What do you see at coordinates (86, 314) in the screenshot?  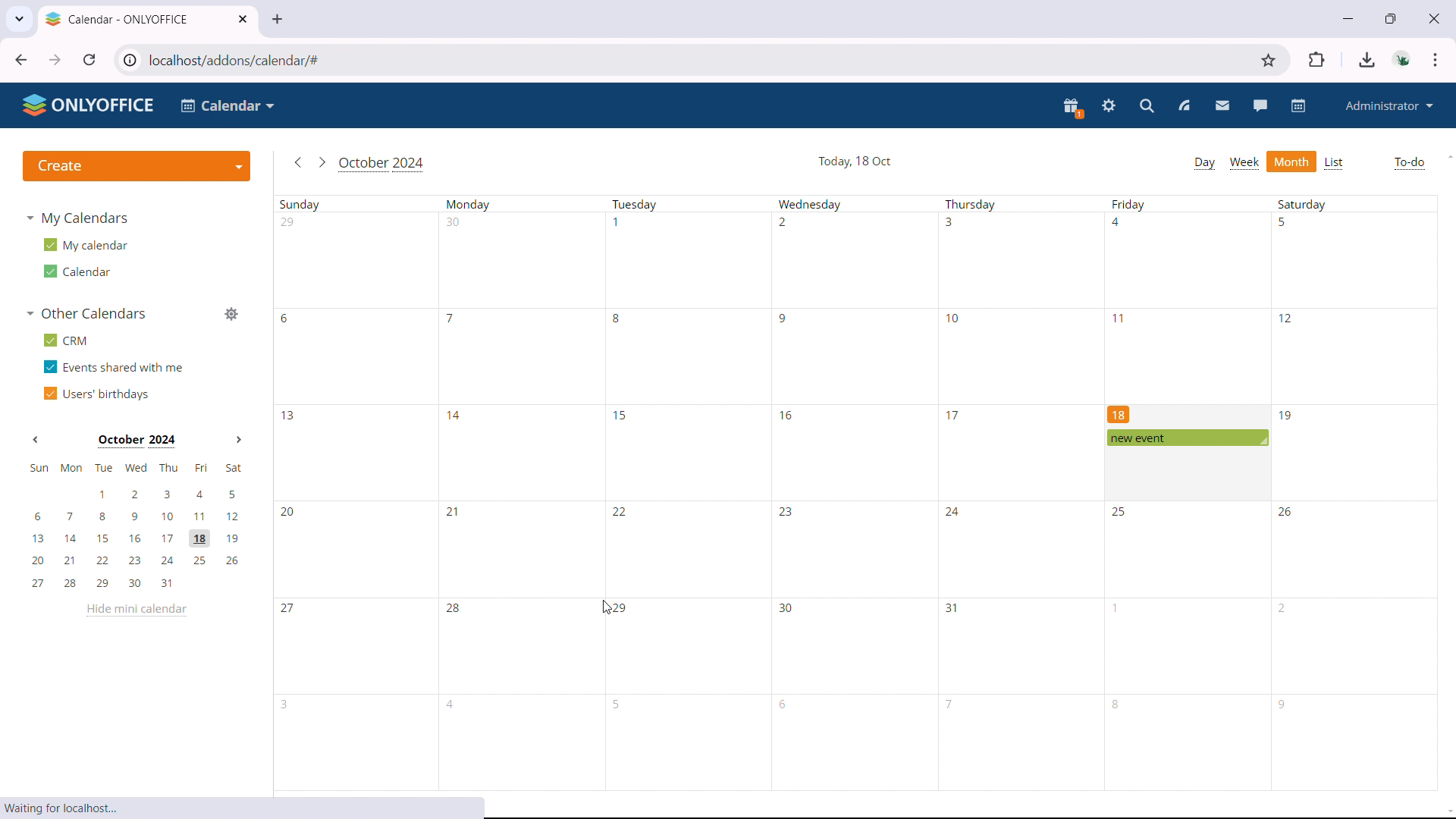 I see `Other Calendars` at bounding box center [86, 314].